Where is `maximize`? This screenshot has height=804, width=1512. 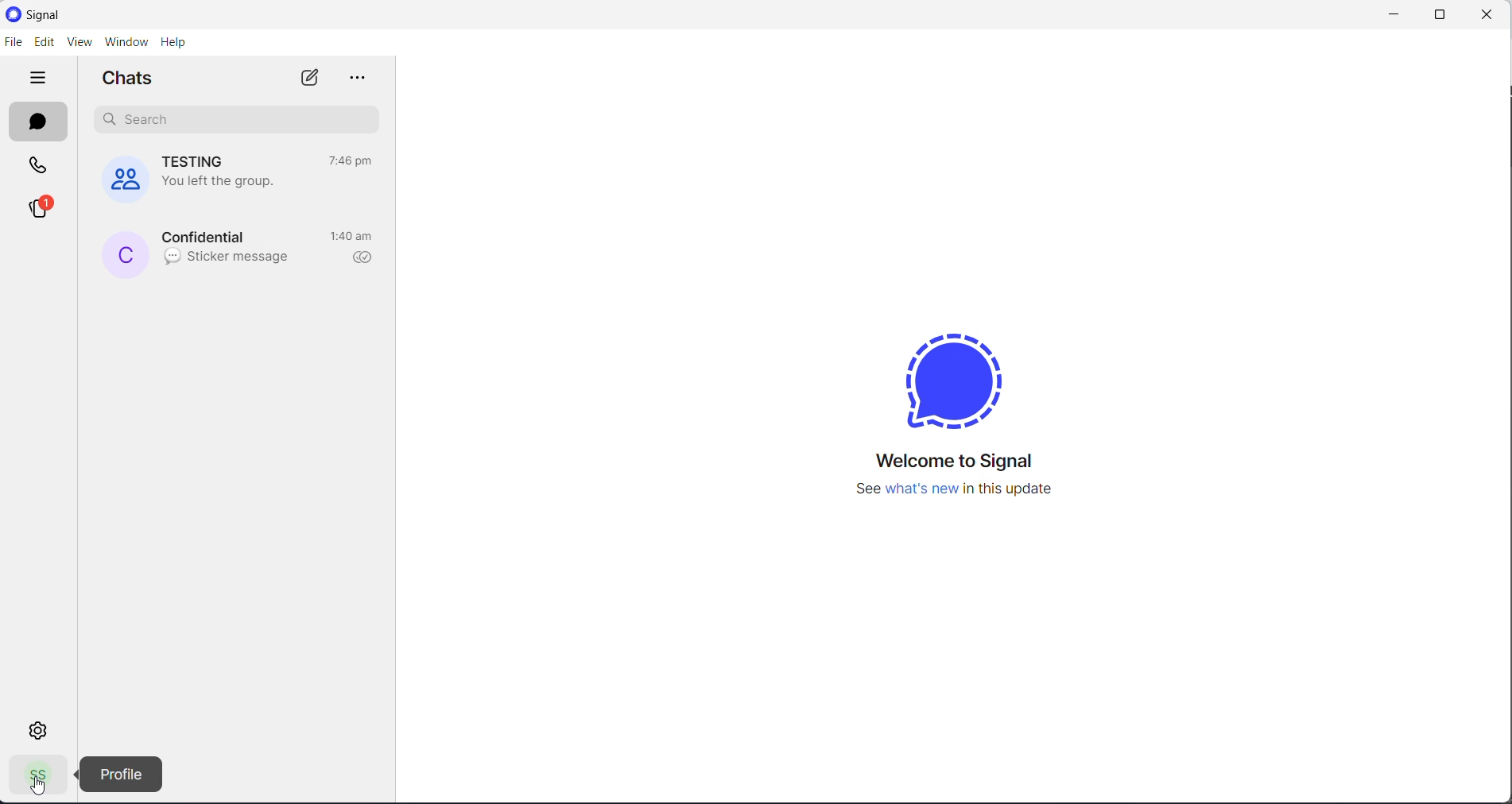 maximize is located at coordinates (1436, 15).